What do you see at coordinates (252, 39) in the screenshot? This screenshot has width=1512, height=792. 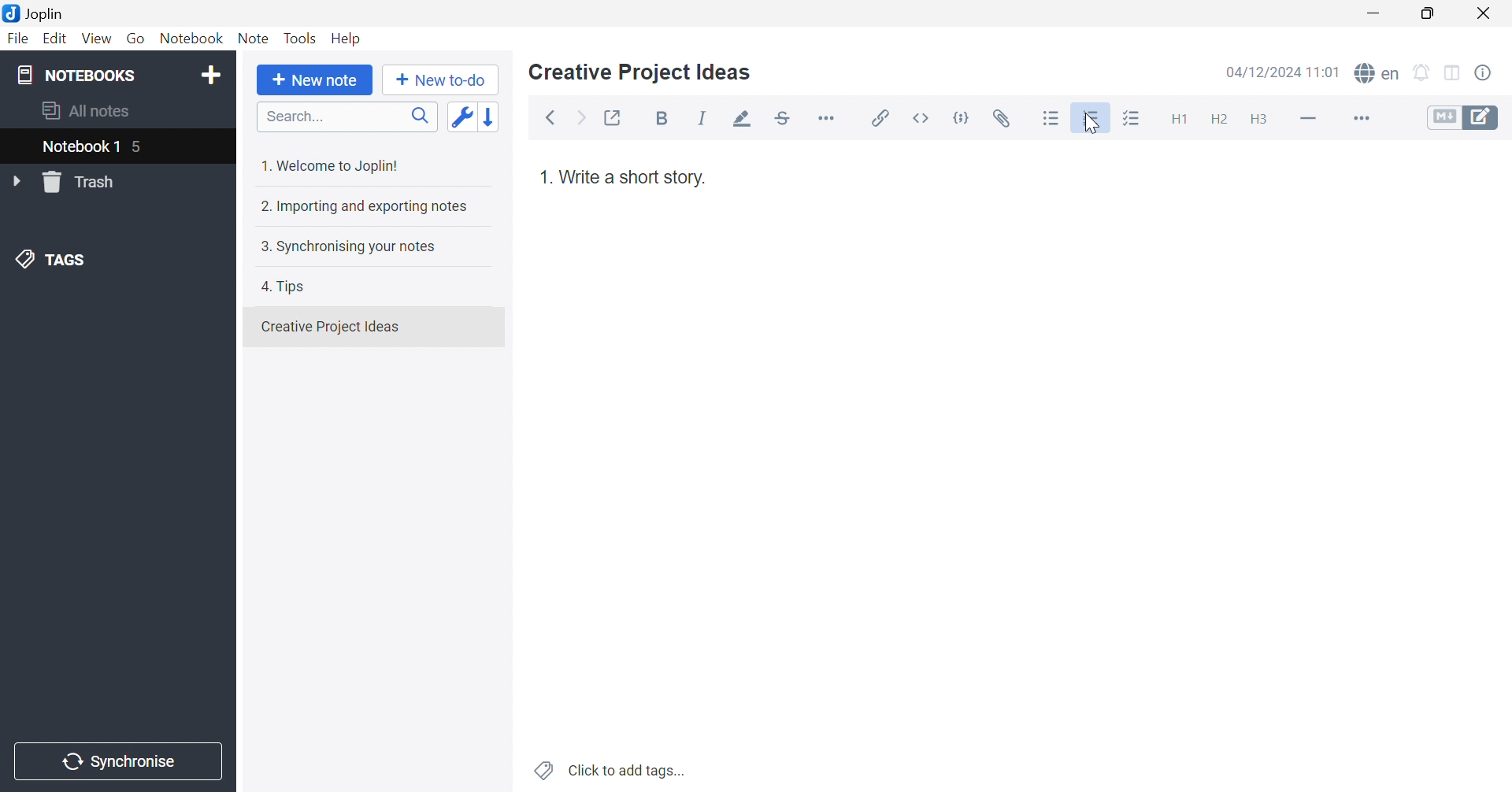 I see `Note` at bounding box center [252, 39].